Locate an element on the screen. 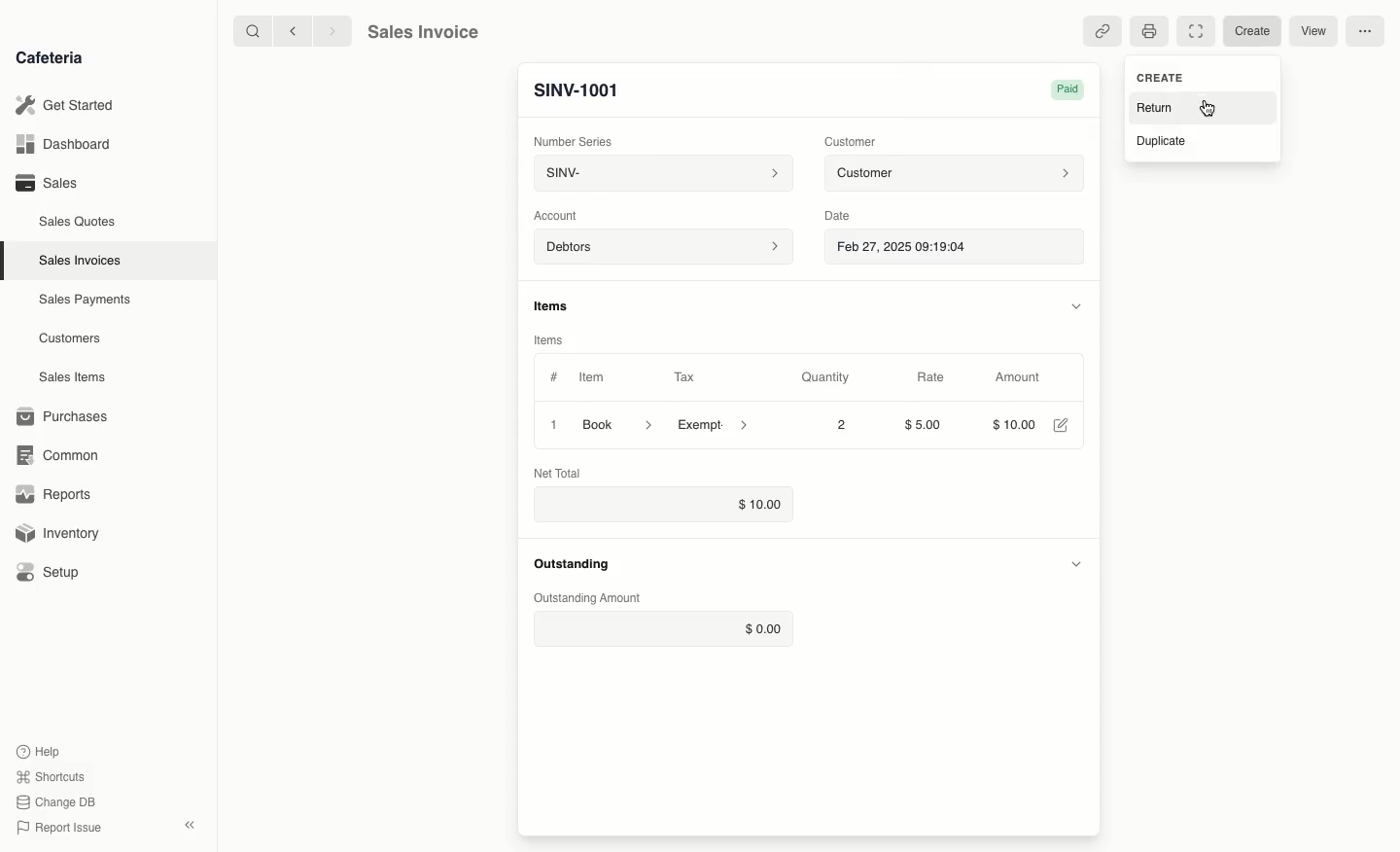  Date is located at coordinates (839, 216).